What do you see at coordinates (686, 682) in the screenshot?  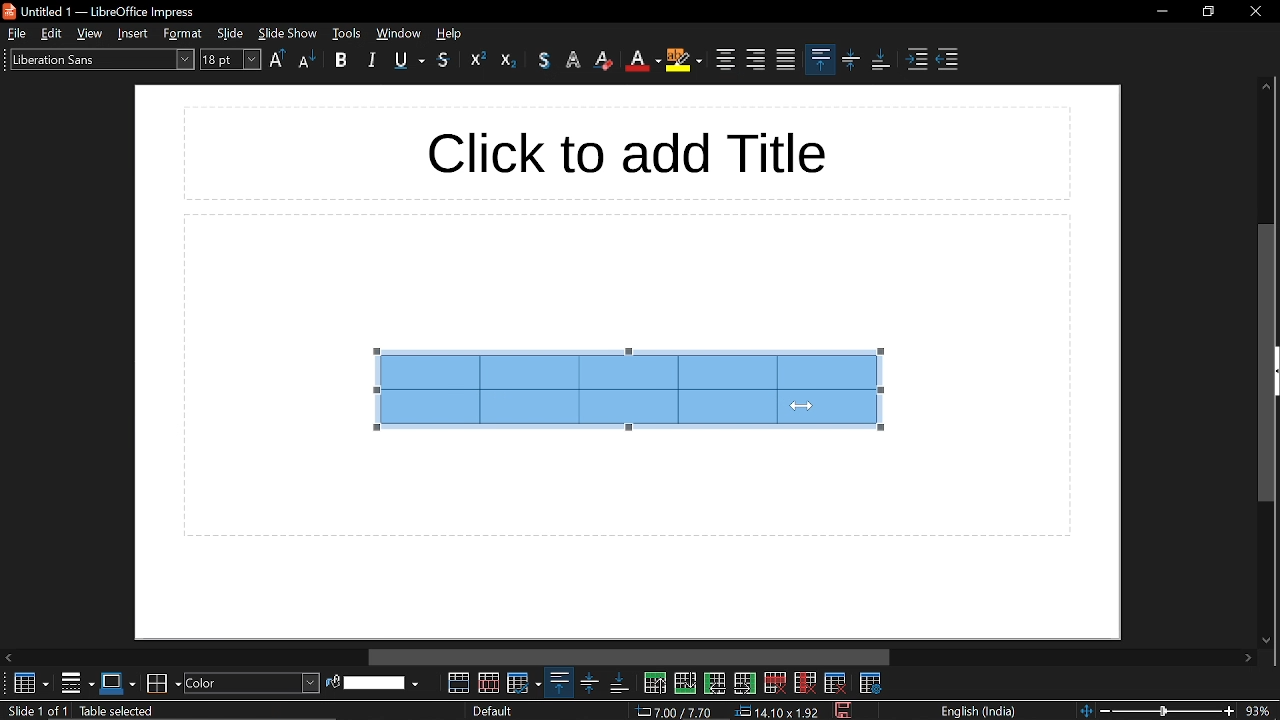 I see `insert row below` at bounding box center [686, 682].